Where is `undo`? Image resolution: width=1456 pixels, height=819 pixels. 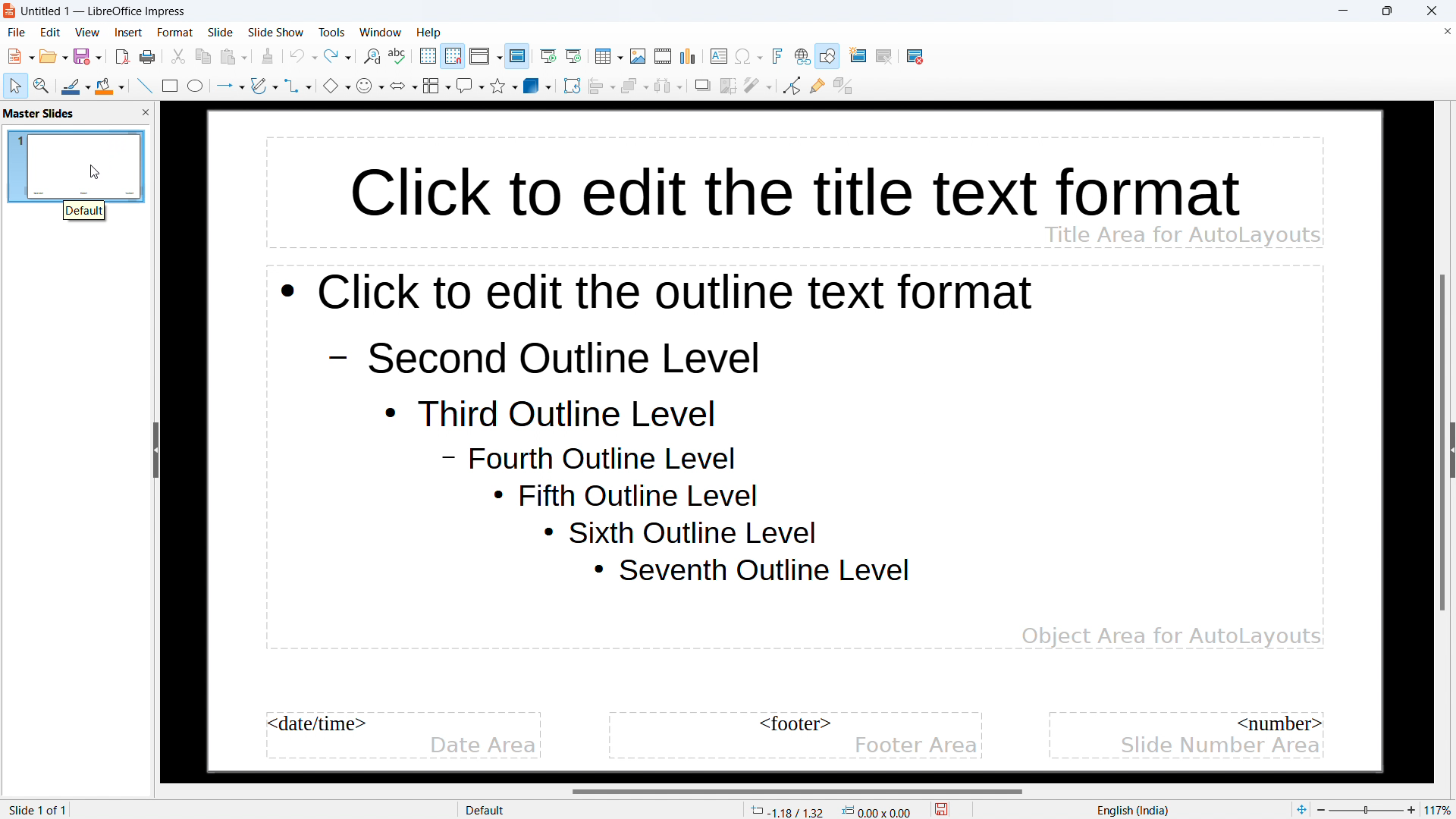
undo is located at coordinates (303, 56).